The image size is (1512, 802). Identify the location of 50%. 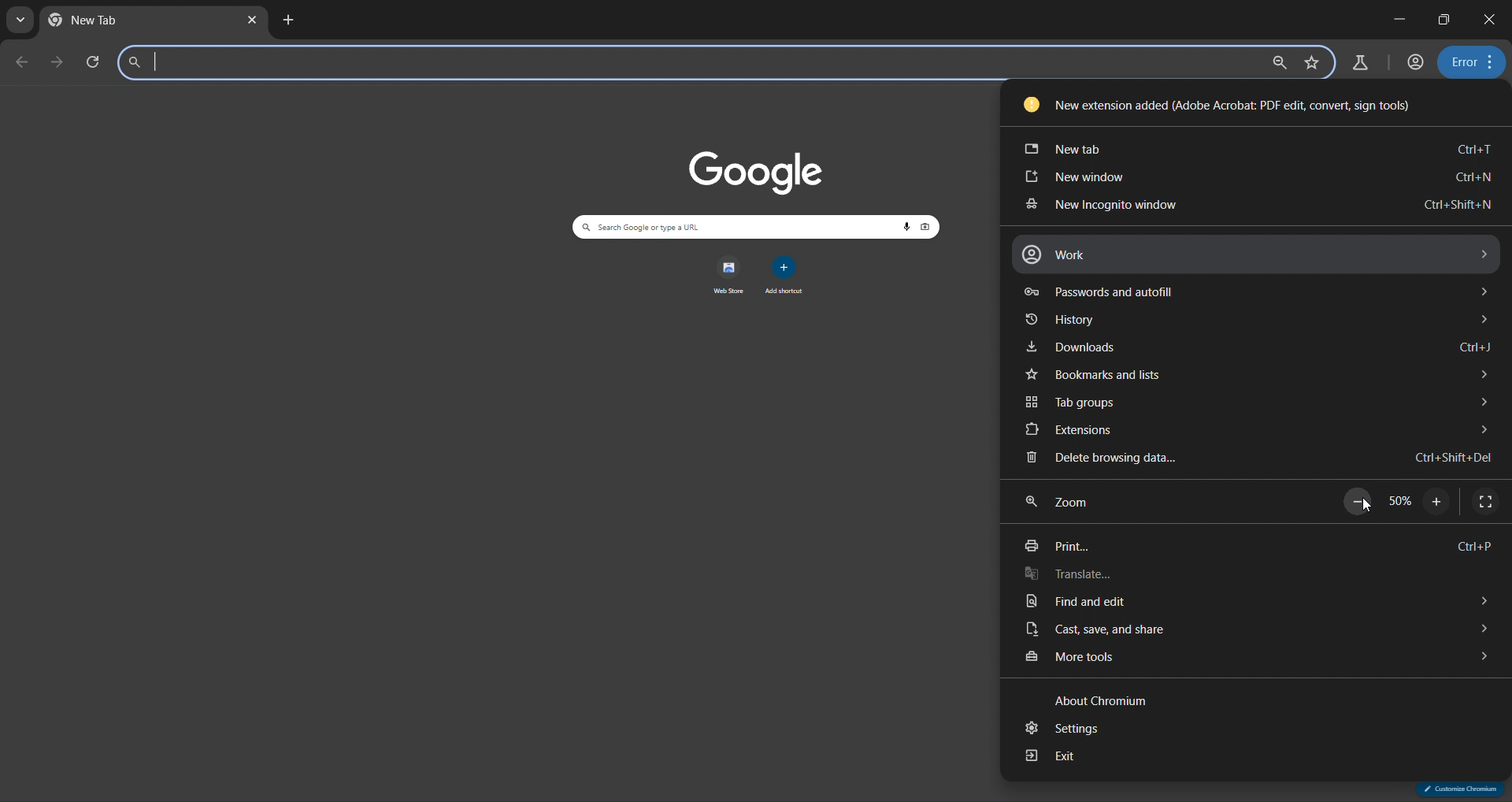
(1400, 503).